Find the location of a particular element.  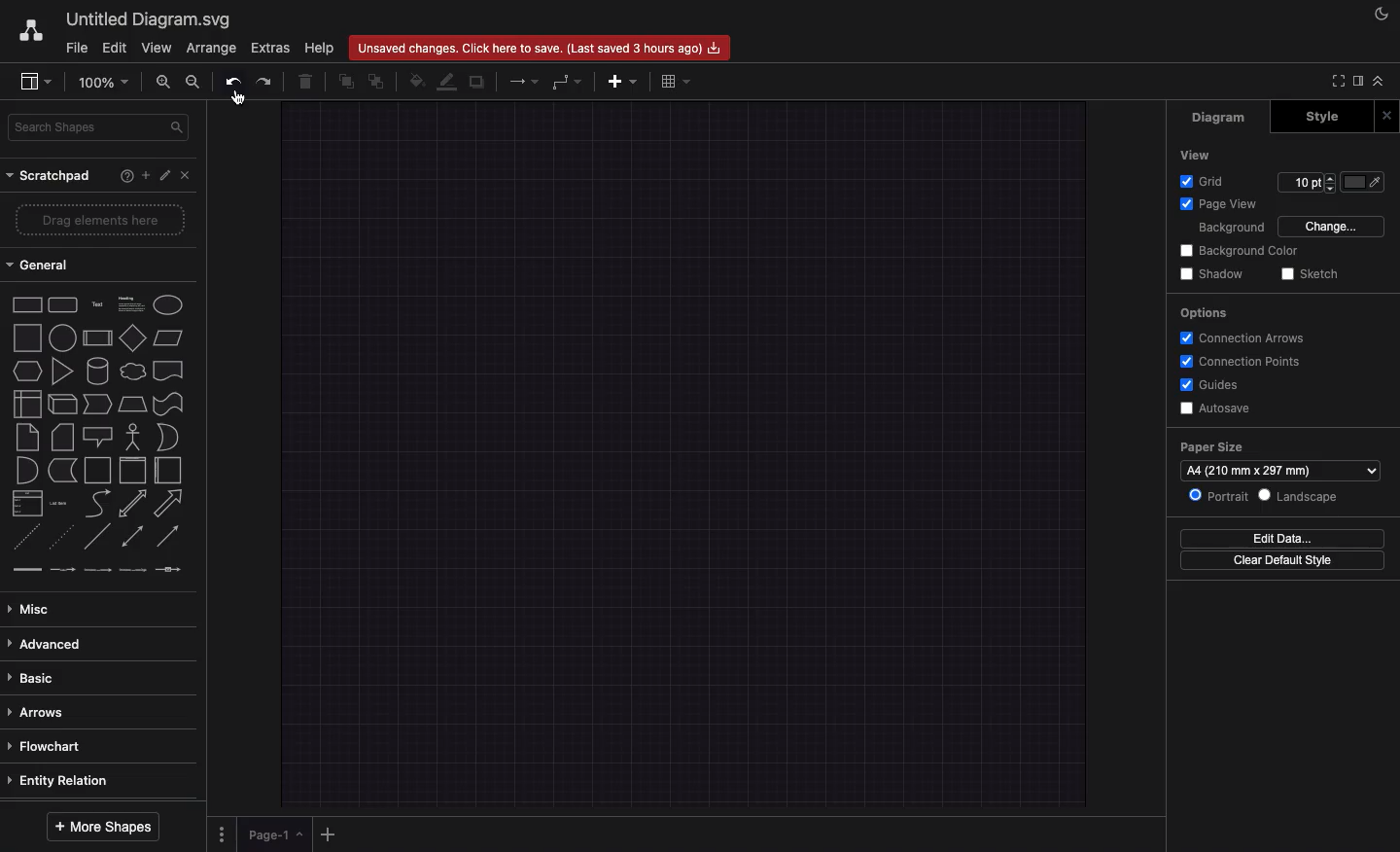

Basic is located at coordinates (36, 678).